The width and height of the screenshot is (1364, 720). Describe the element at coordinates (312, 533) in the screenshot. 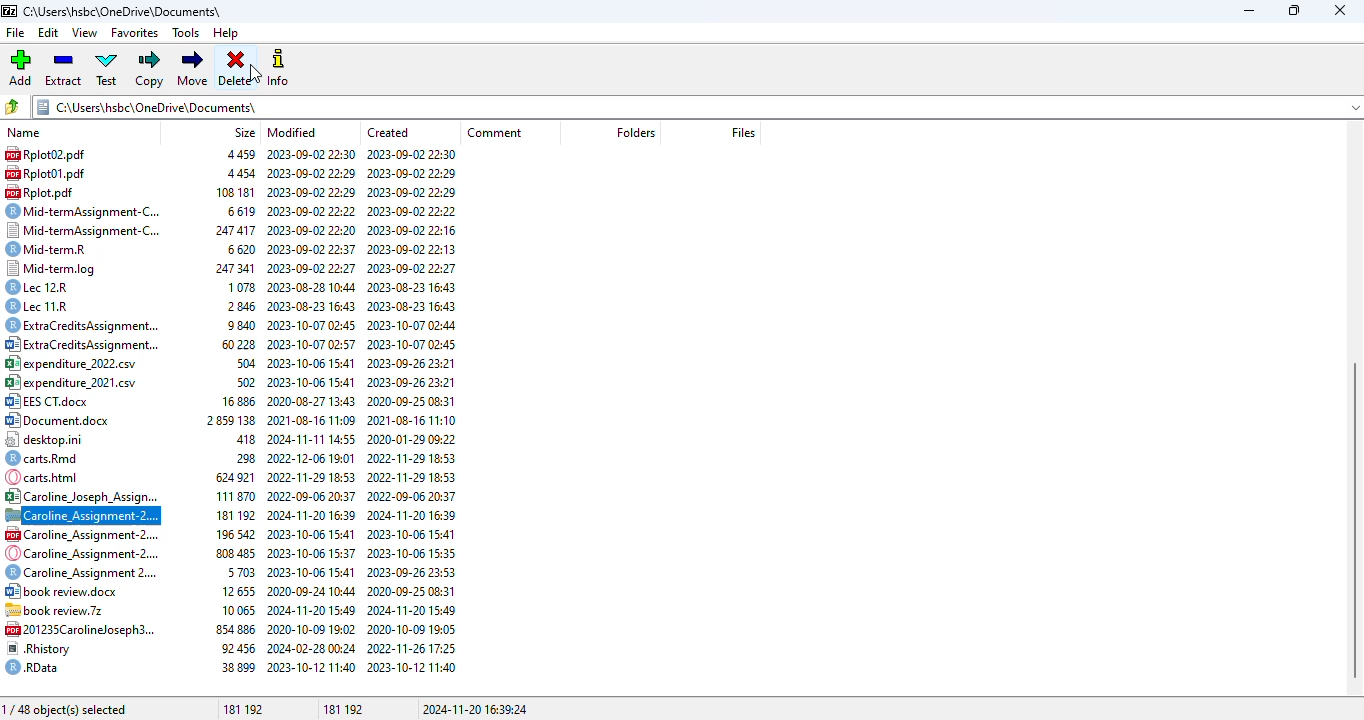

I see `2003-10-06 15:41` at that location.